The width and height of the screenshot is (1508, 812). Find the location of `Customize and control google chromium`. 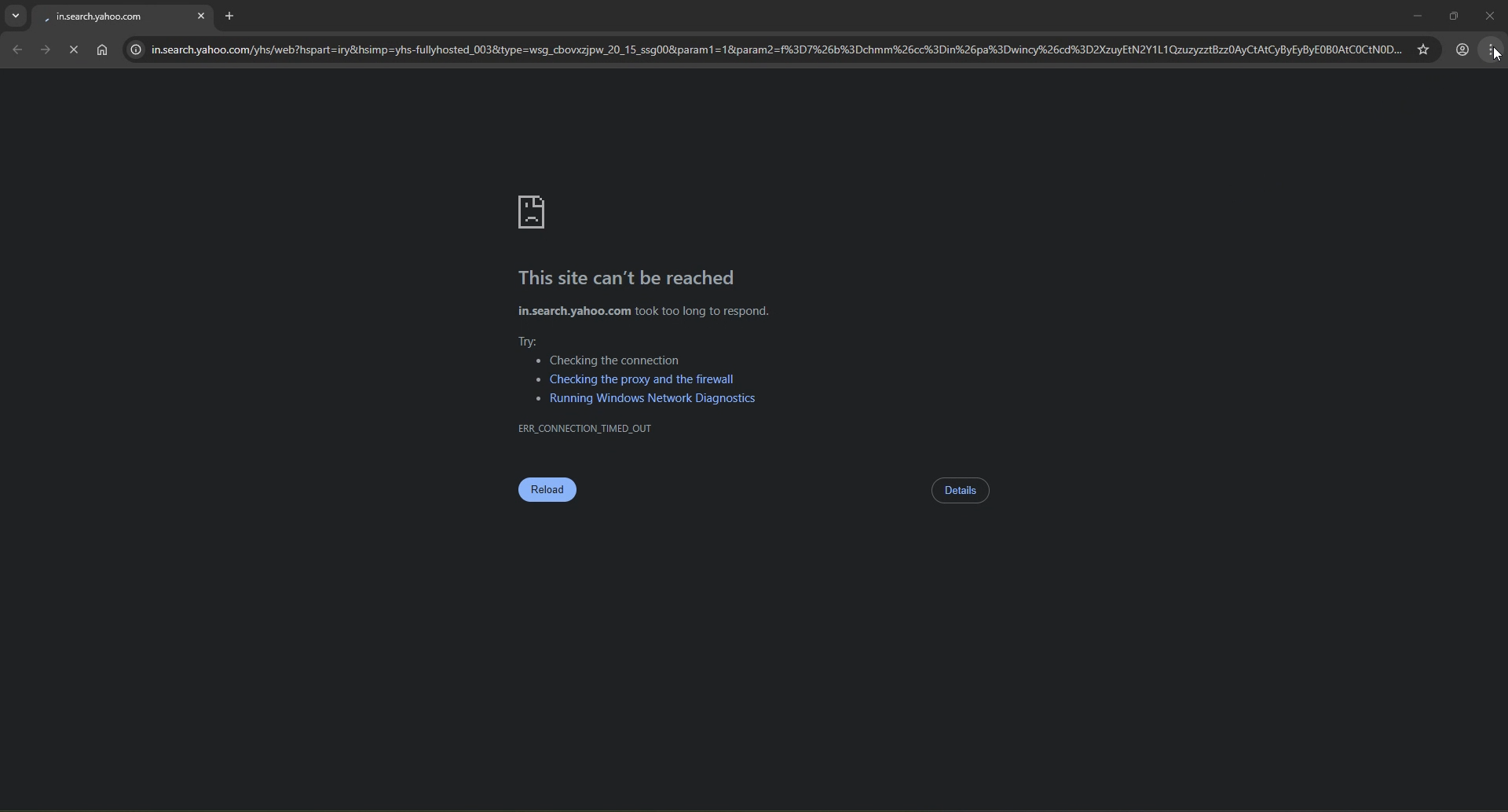

Customize and control google chromium is located at coordinates (1493, 51).